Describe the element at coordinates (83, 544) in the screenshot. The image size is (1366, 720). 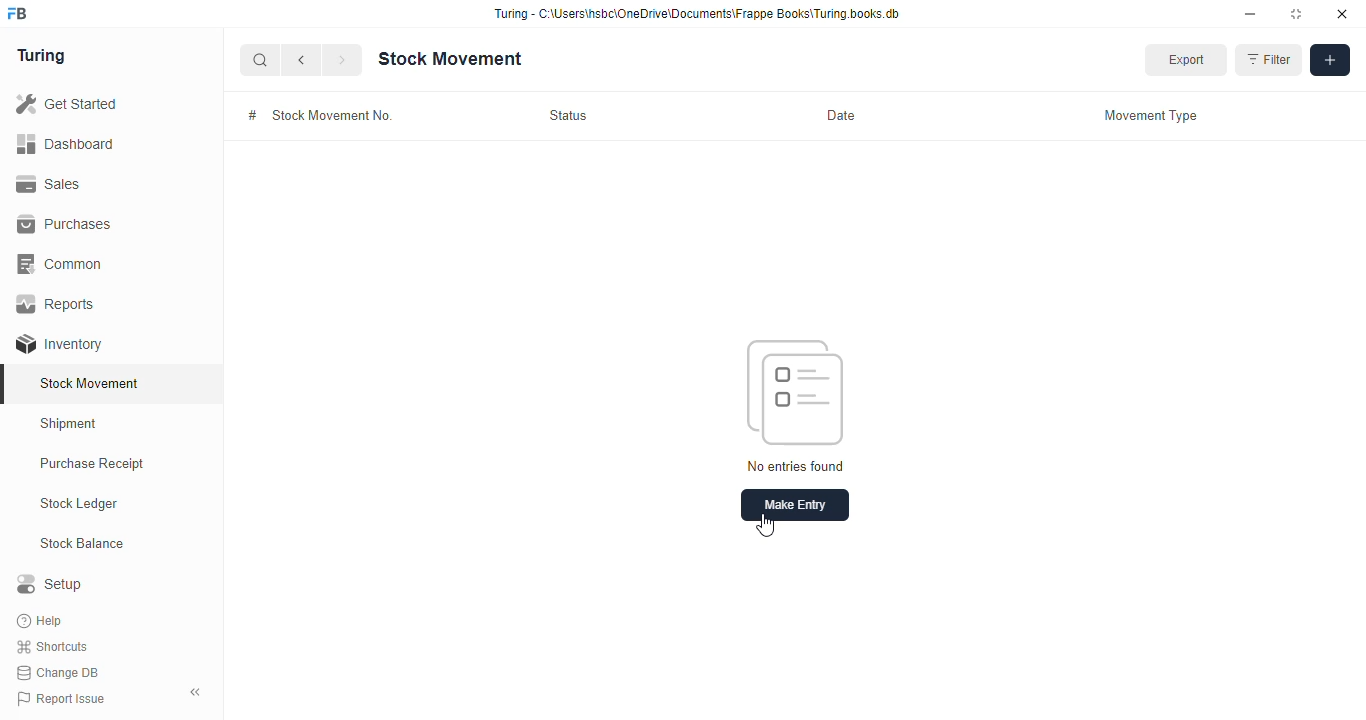
I see `stock balance` at that location.